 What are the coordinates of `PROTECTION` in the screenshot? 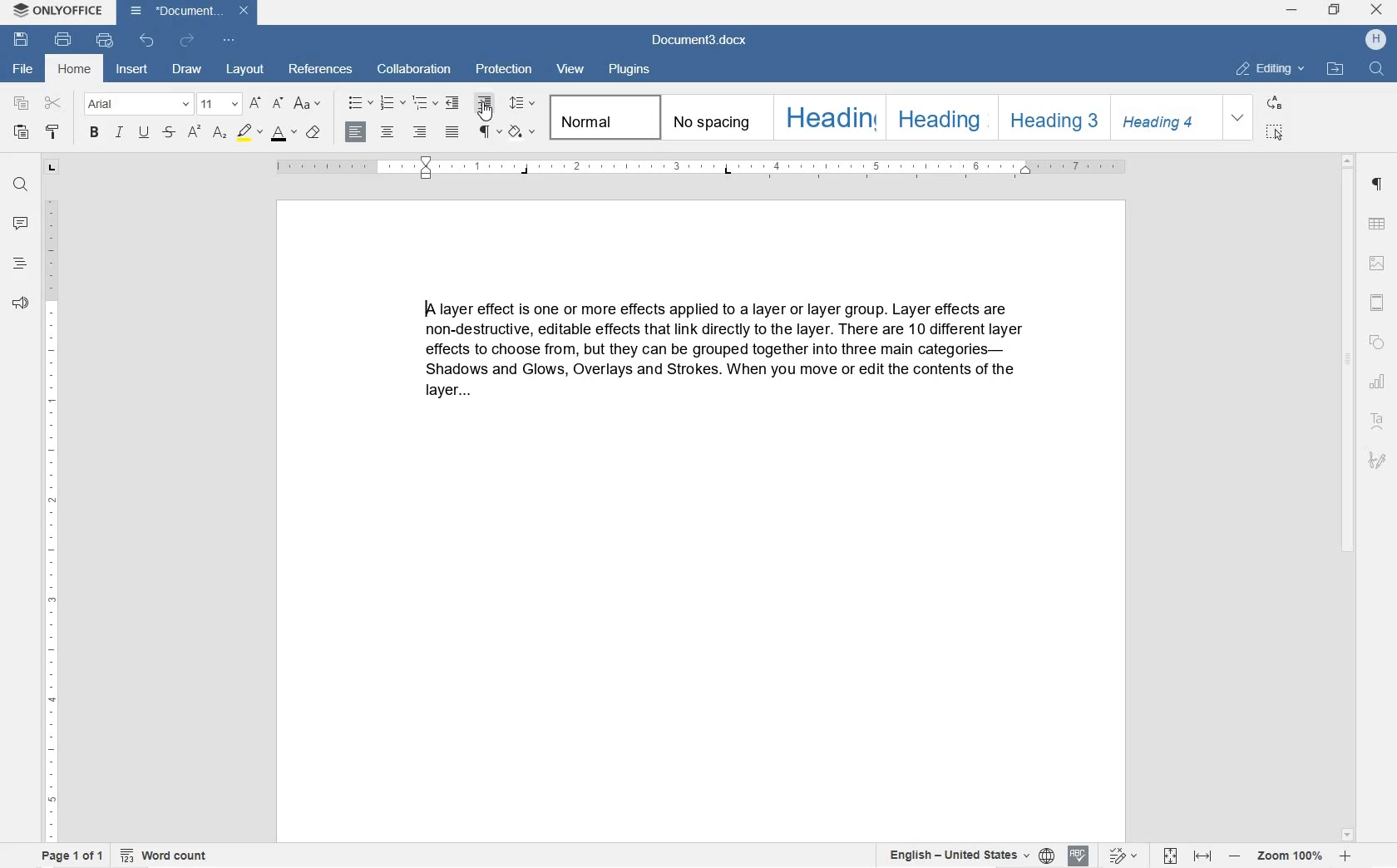 It's located at (503, 71).